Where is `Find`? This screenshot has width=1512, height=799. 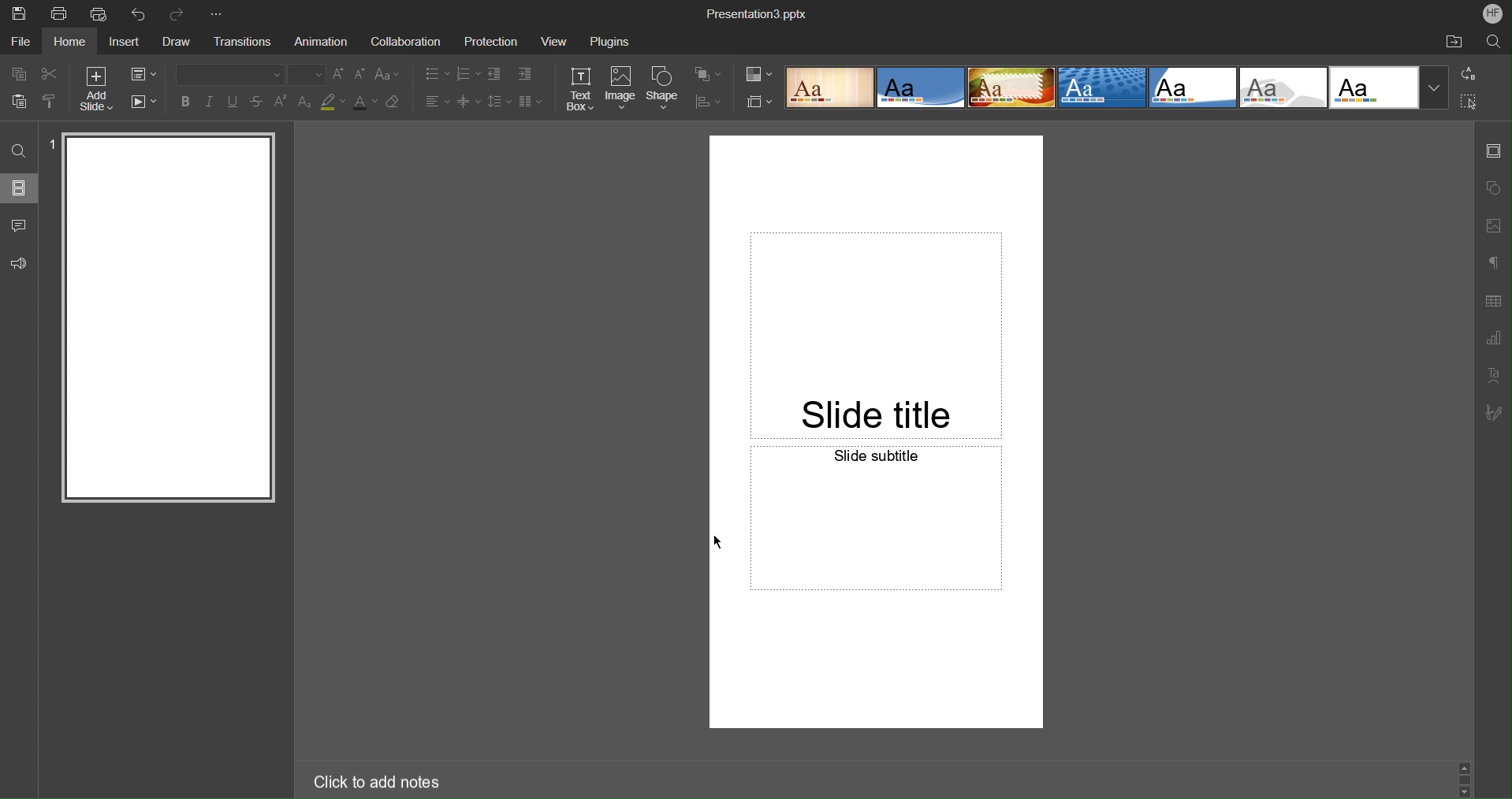
Find is located at coordinates (18, 151).